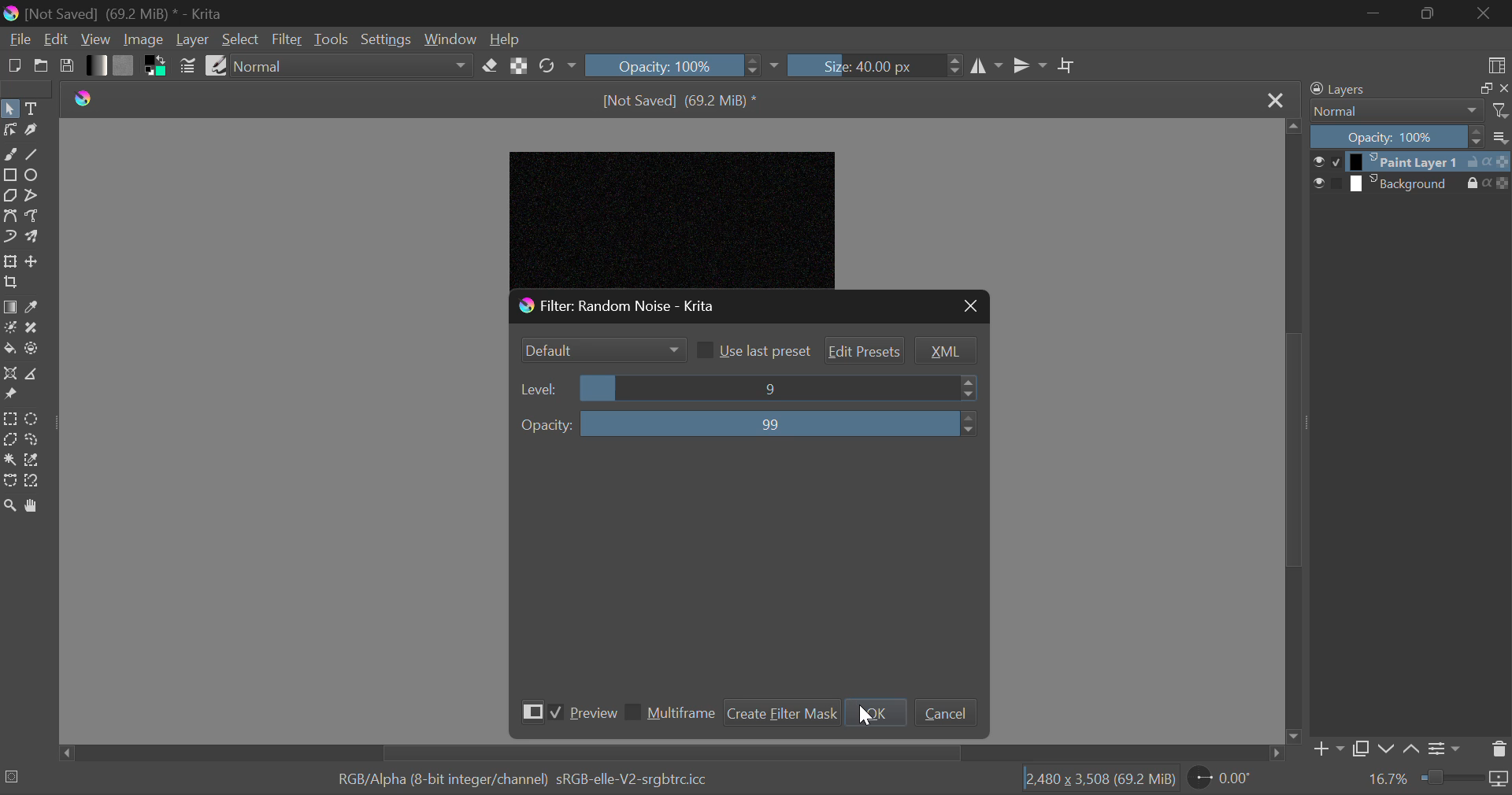  I want to click on Fill and Enclose, so click(33, 348).